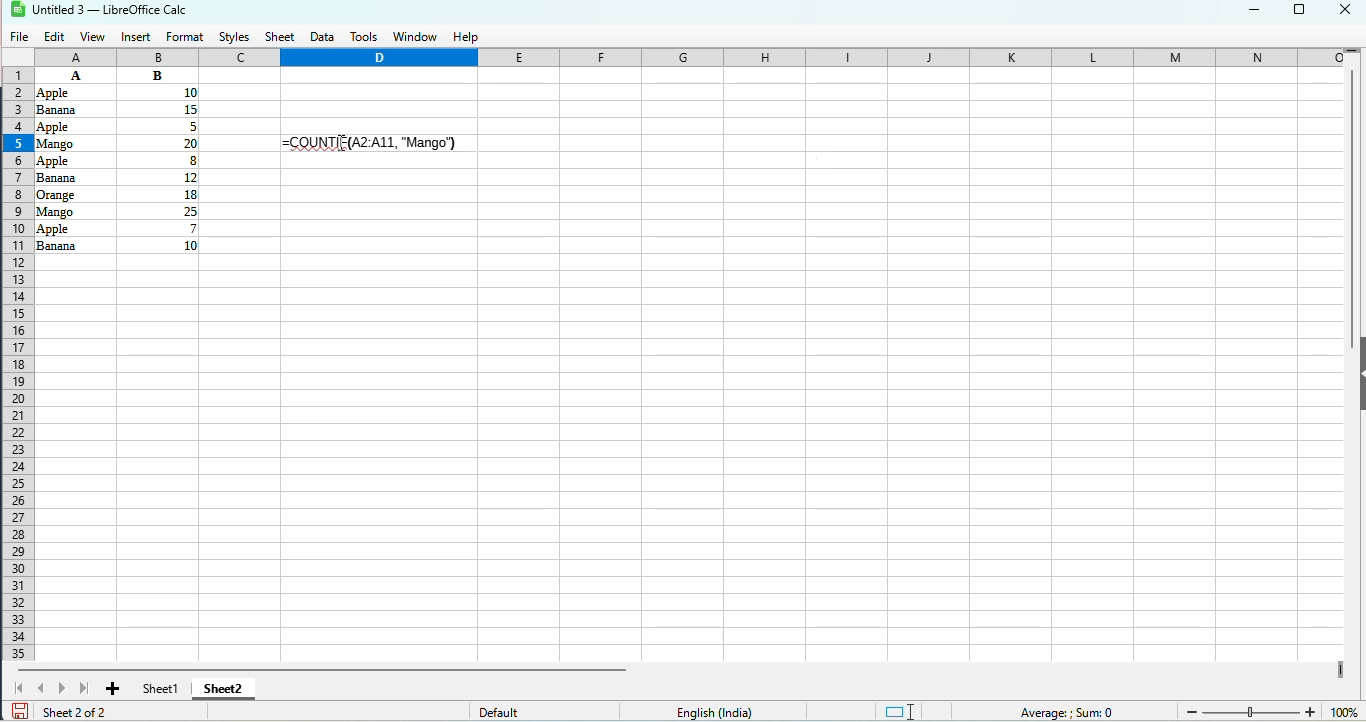 The width and height of the screenshot is (1366, 722). What do you see at coordinates (716, 712) in the screenshot?
I see `text language` at bounding box center [716, 712].